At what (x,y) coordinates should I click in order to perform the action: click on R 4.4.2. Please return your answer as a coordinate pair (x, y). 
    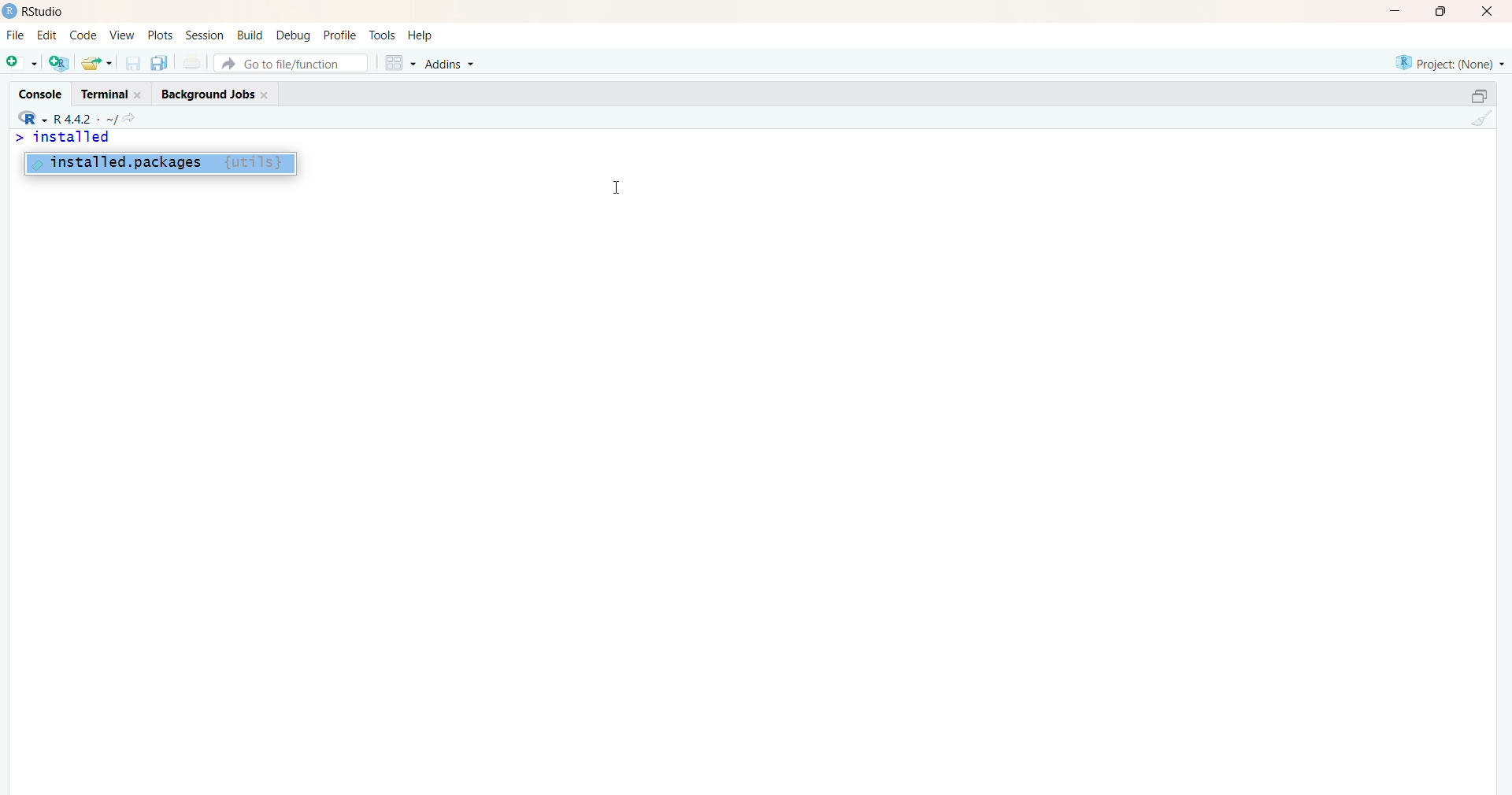
    Looking at the image, I should click on (63, 119).